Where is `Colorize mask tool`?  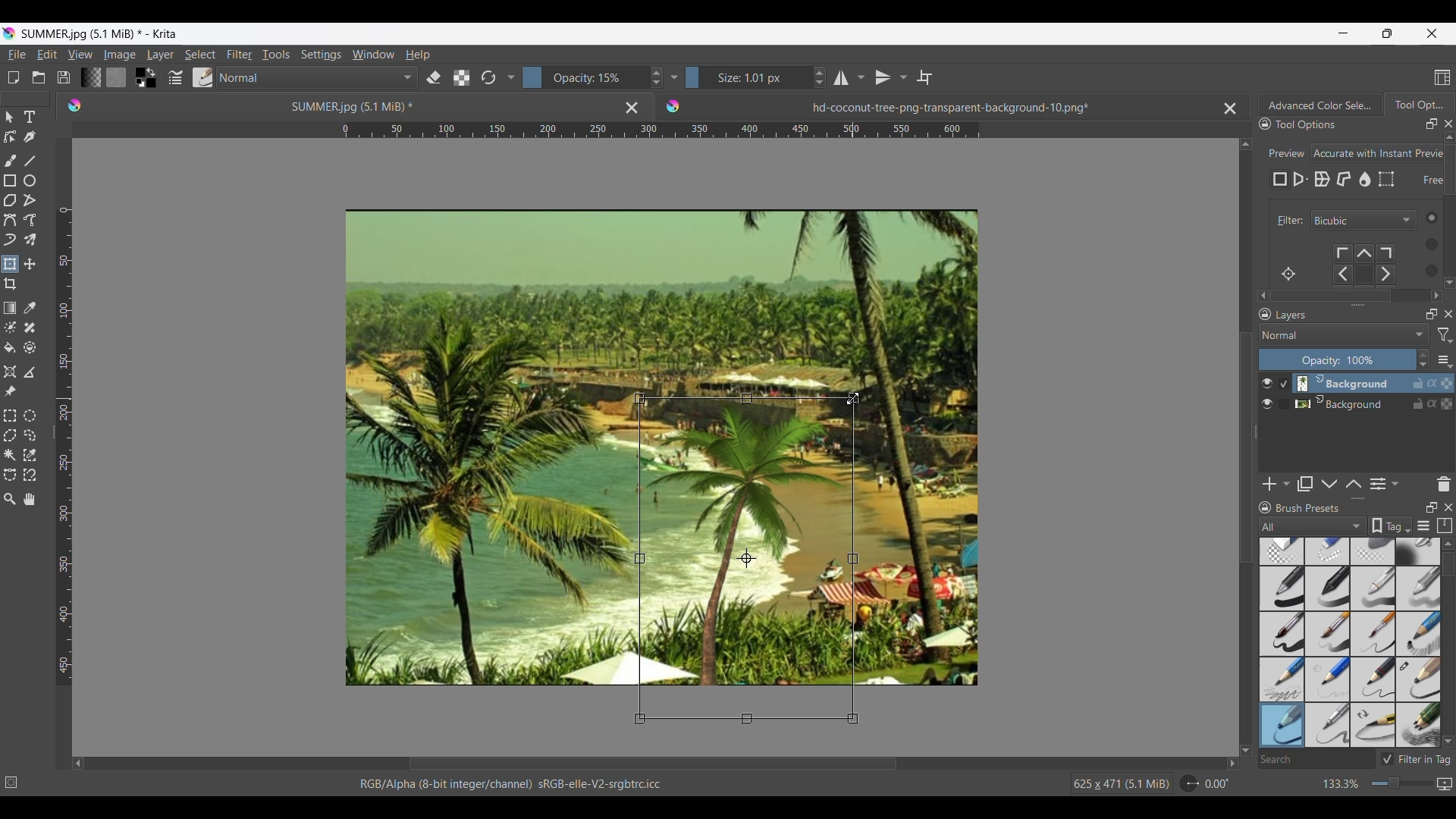 Colorize mask tool is located at coordinates (11, 327).